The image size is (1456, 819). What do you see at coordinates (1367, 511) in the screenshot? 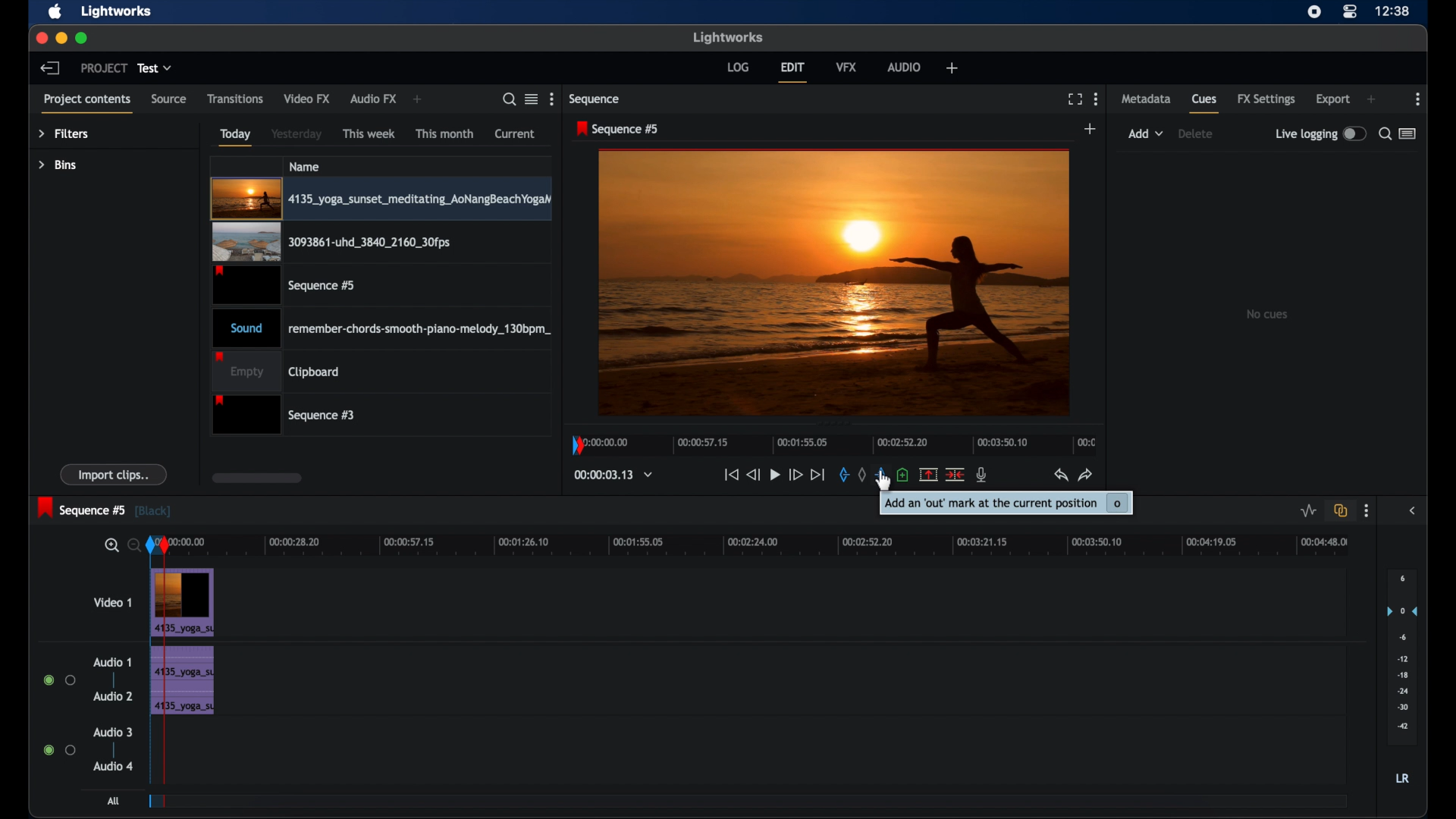
I see `more options` at bounding box center [1367, 511].